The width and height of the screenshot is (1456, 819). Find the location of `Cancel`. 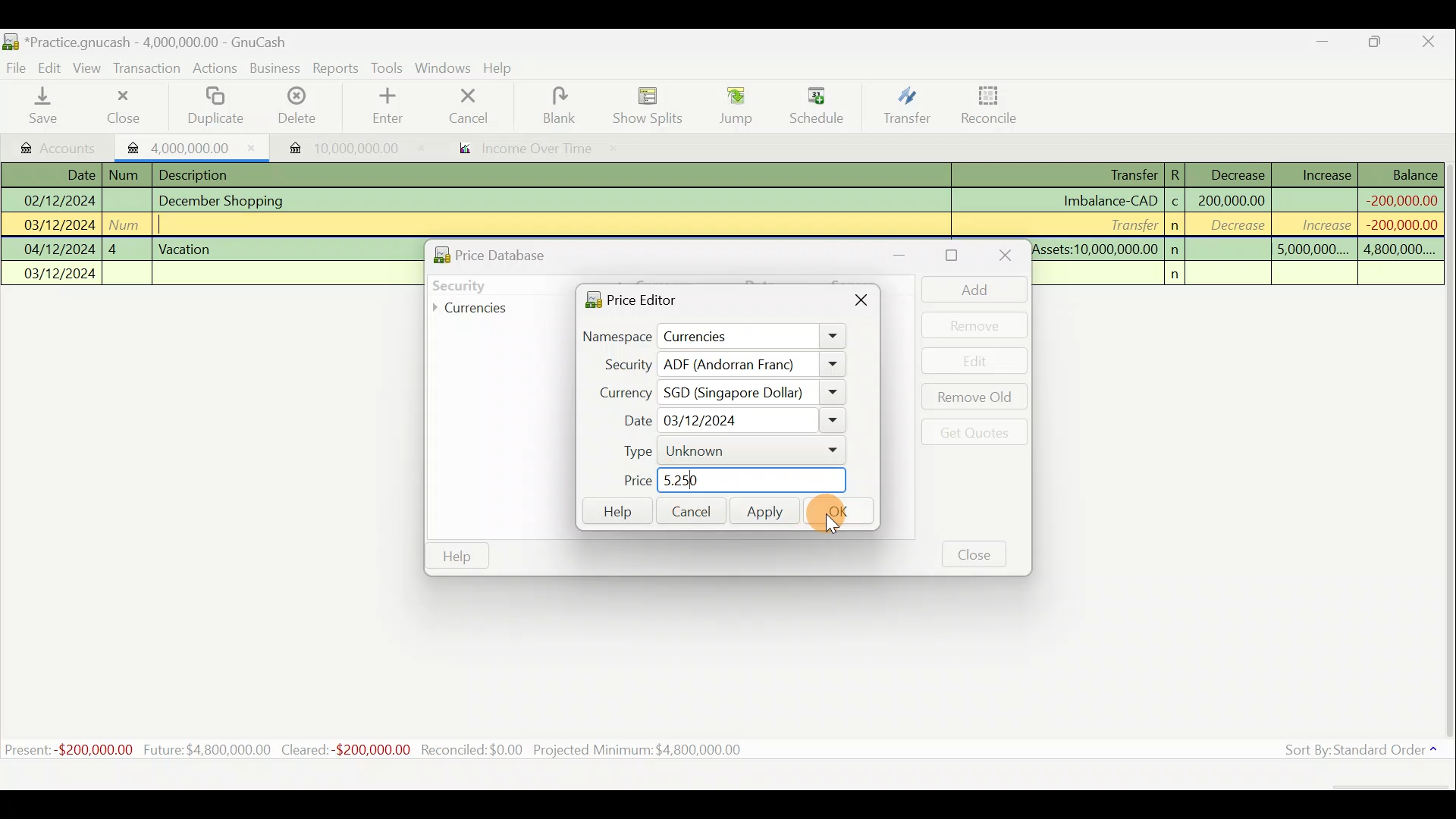

Cancel is located at coordinates (689, 510).